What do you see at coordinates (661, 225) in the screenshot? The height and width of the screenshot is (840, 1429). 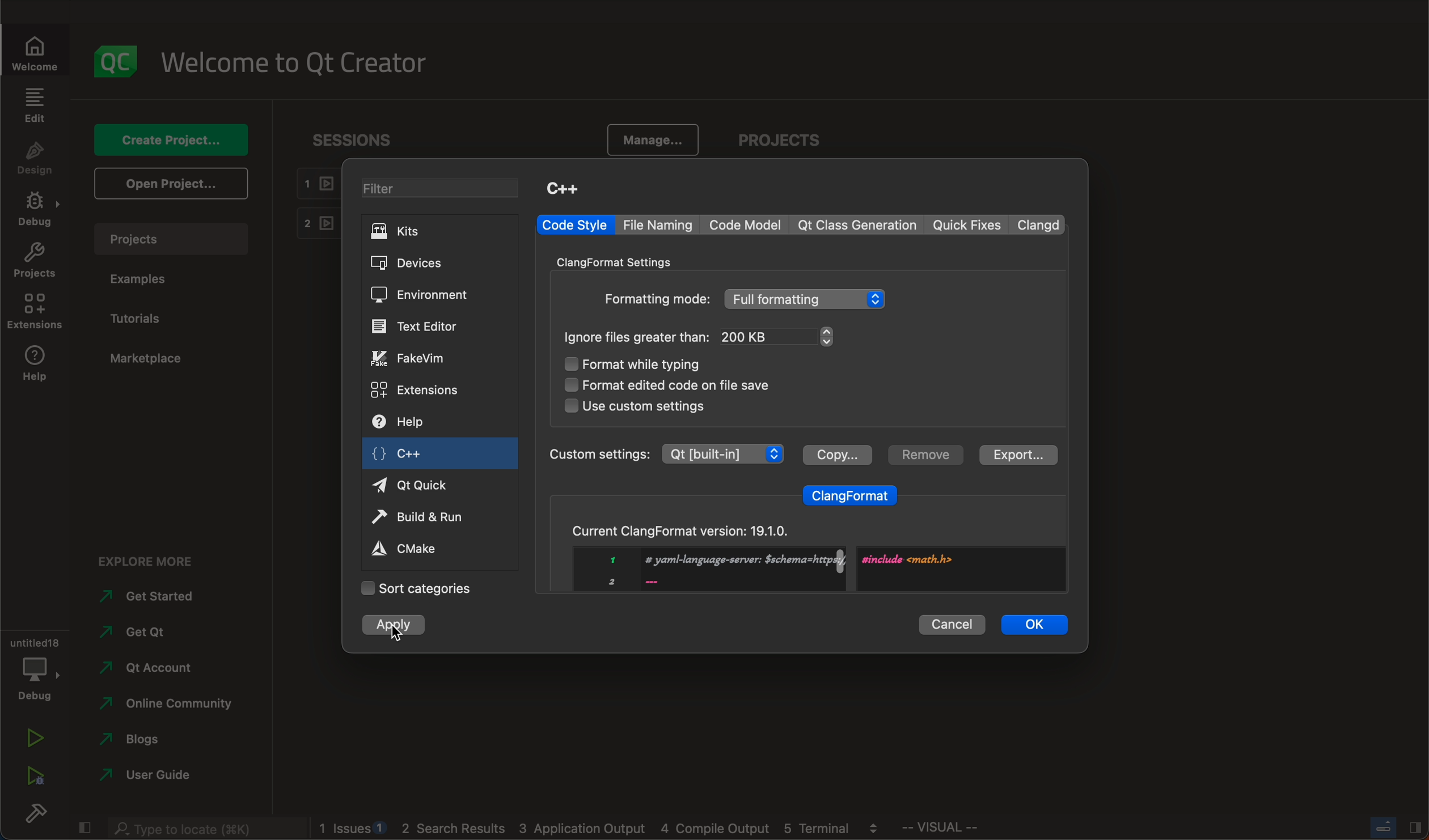 I see `file naming` at bounding box center [661, 225].